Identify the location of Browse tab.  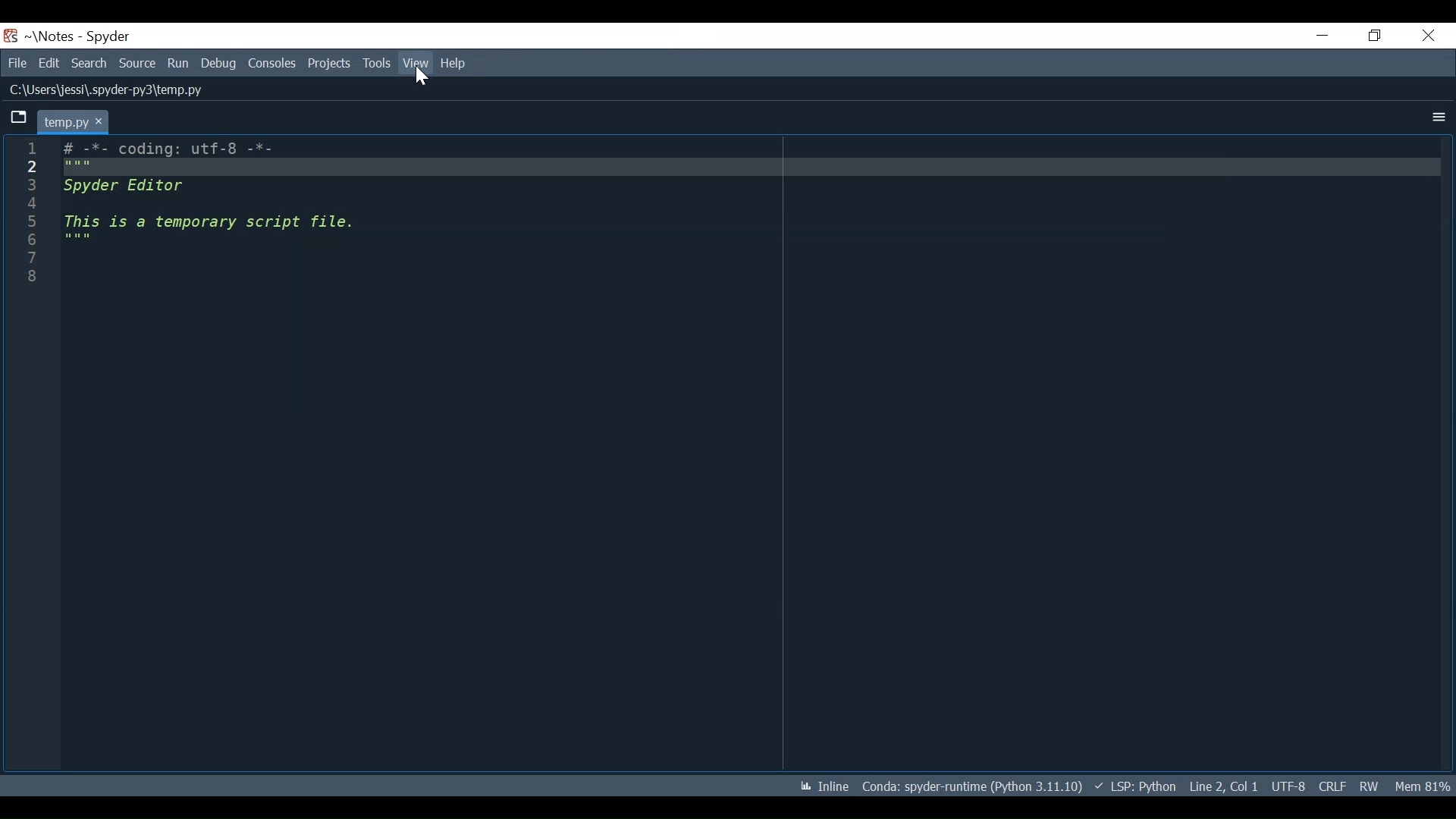
(18, 119).